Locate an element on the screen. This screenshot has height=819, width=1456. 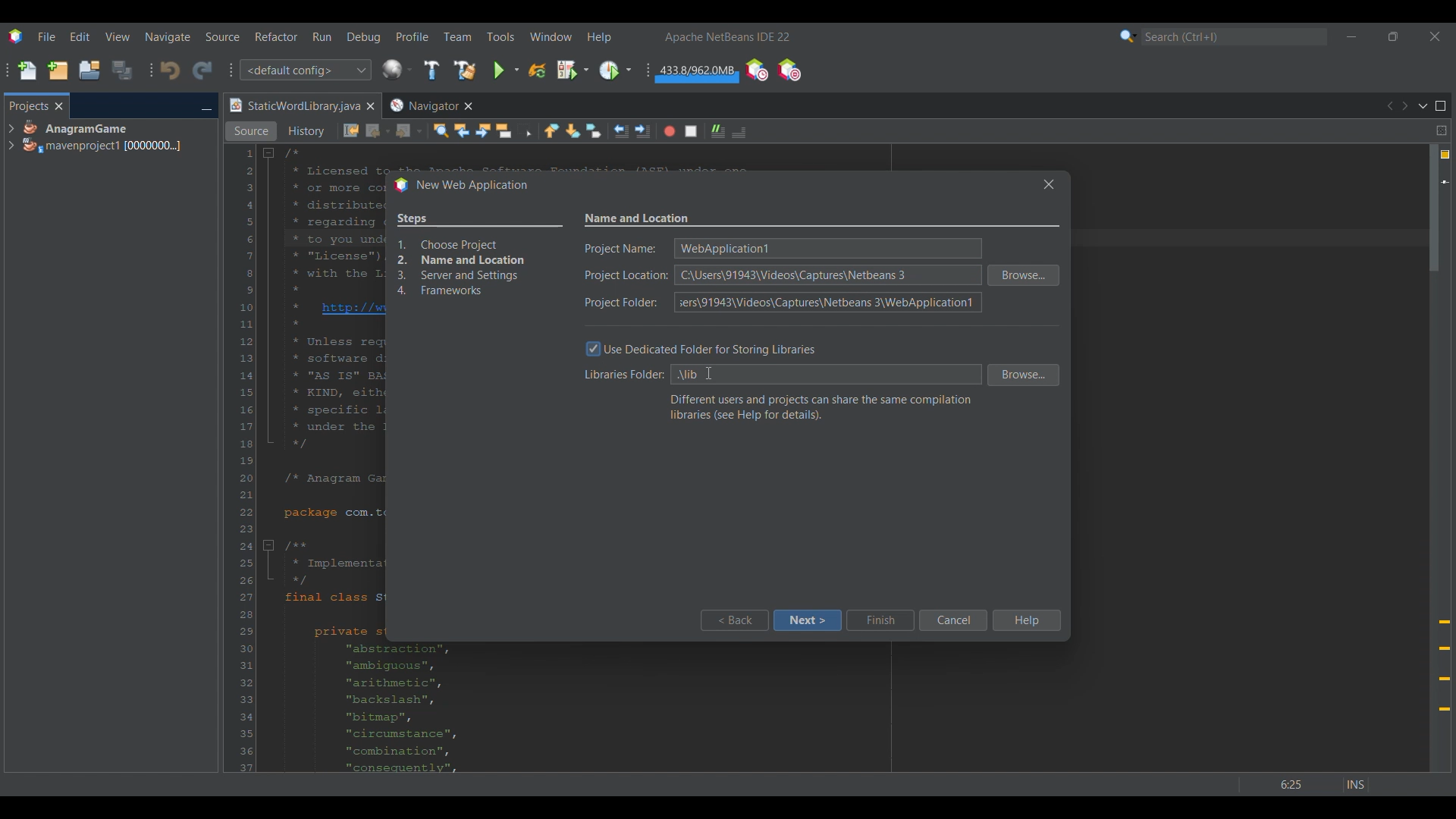
Browse folder for respective detail is located at coordinates (1024, 325).